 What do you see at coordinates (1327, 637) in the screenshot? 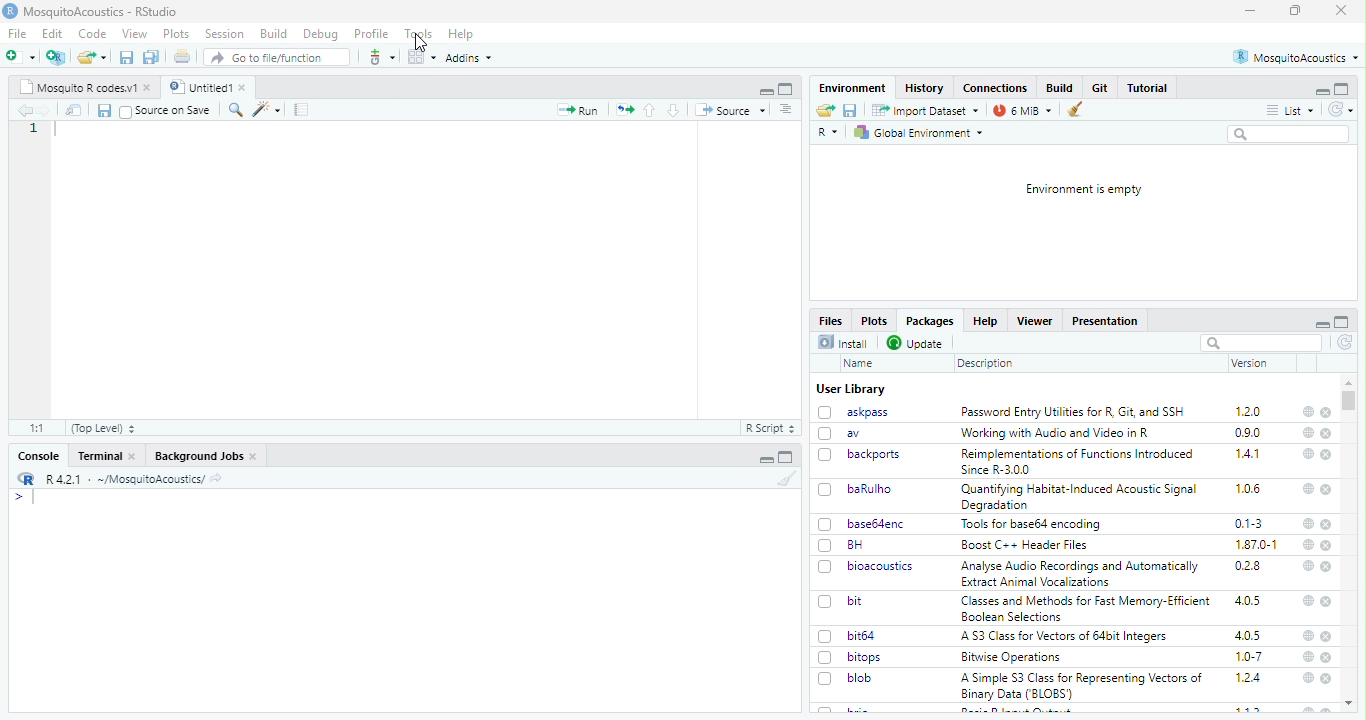
I see `close` at bounding box center [1327, 637].